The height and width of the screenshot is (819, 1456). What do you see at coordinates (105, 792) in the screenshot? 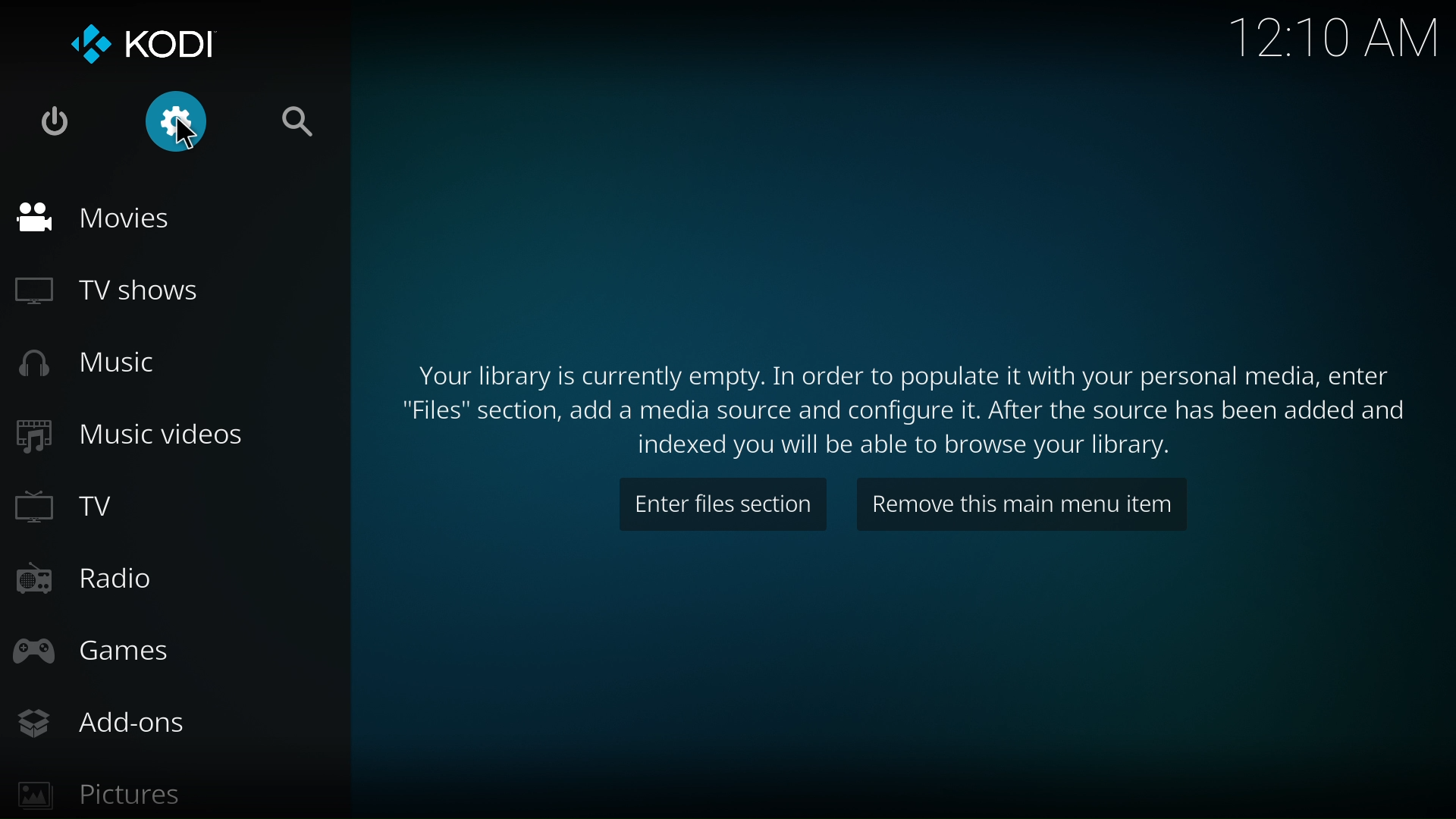
I see `pictures` at bounding box center [105, 792].